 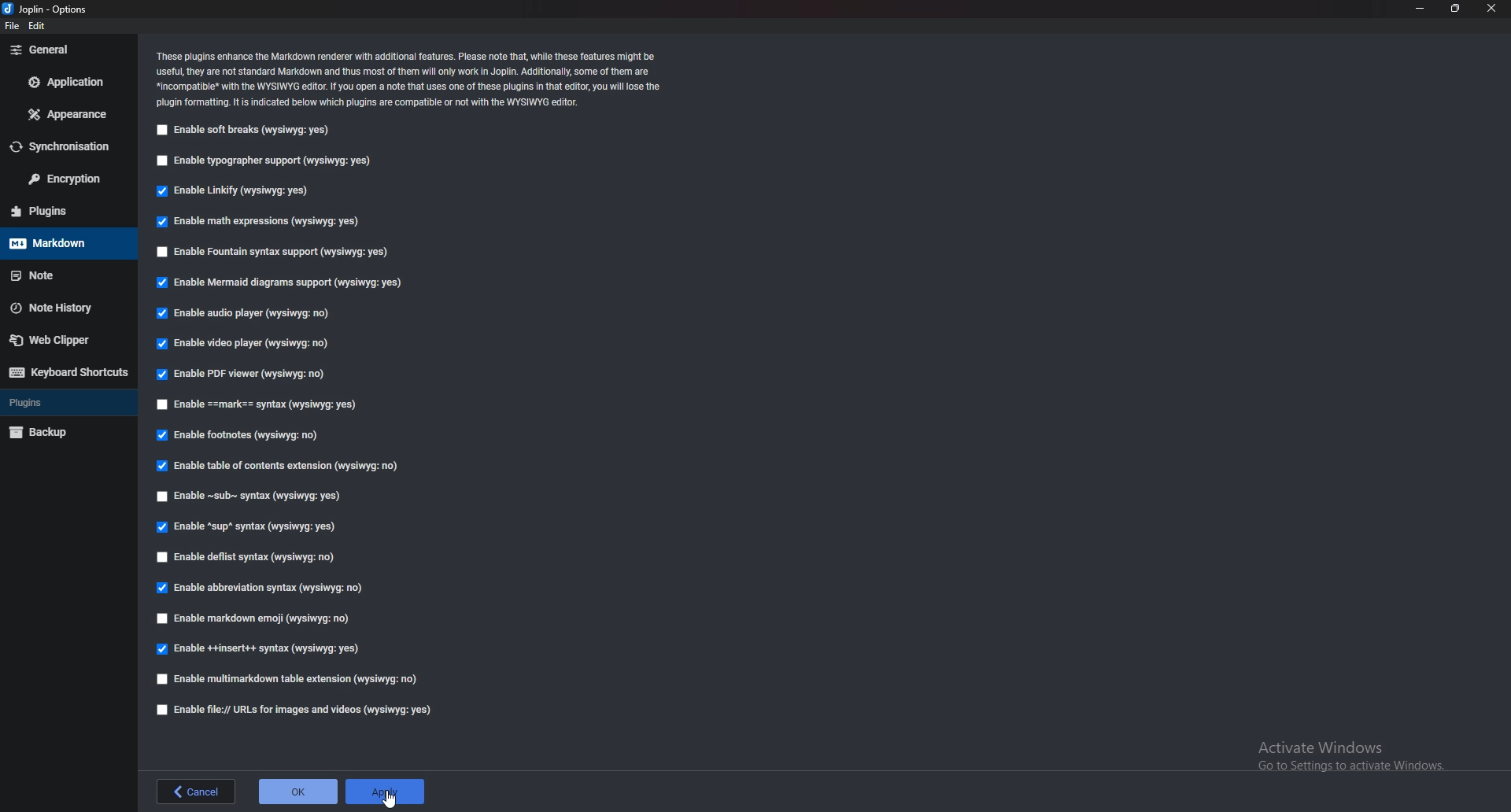 What do you see at coordinates (286, 467) in the screenshot?
I see `enable table of contents extension` at bounding box center [286, 467].